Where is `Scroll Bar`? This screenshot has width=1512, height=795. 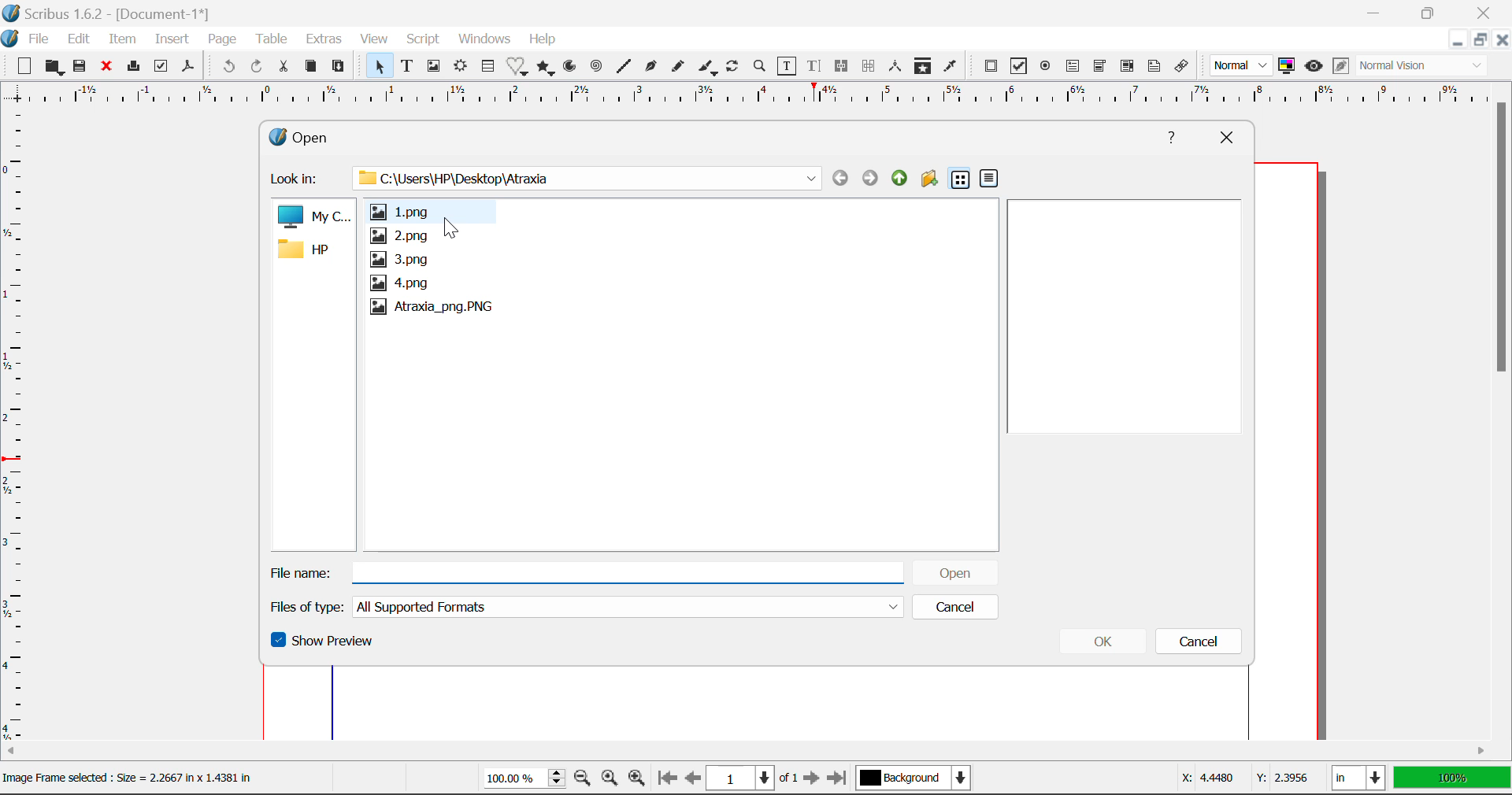
Scroll Bar is located at coordinates (1503, 407).